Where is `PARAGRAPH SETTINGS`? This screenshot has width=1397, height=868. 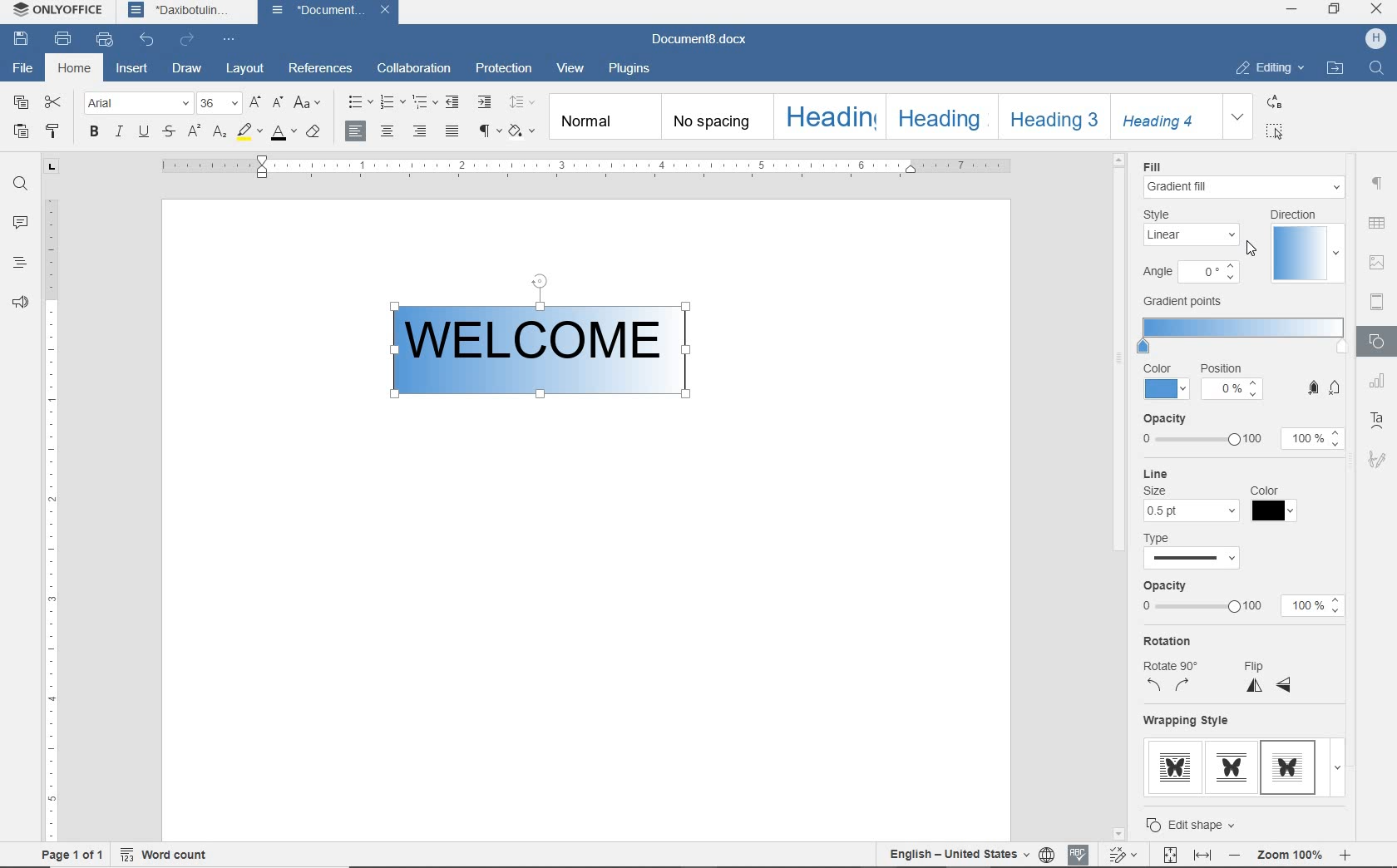
PARAGRAPH SETTINGS is located at coordinates (1377, 185).